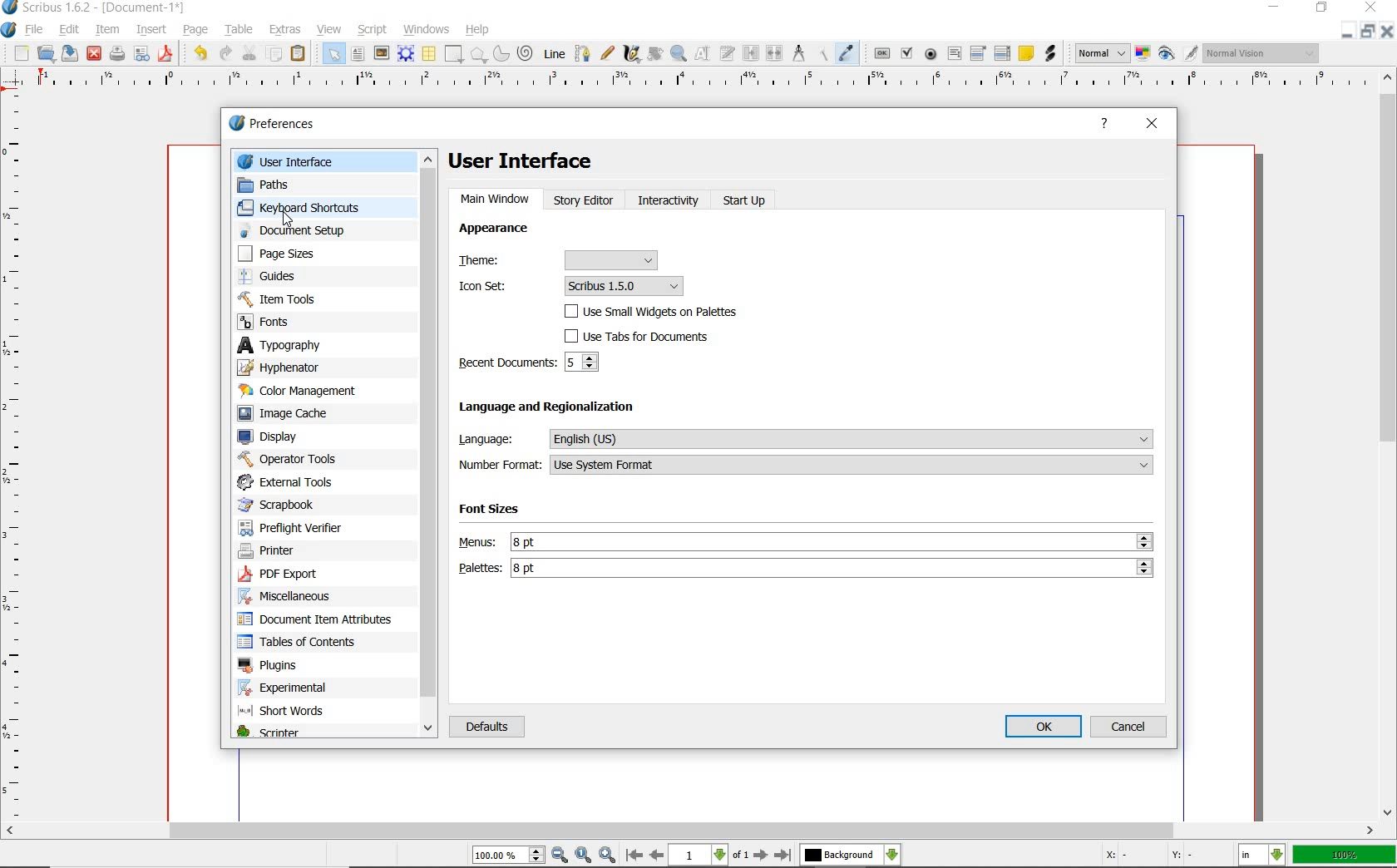  I want to click on toggle color management, so click(1142, 55).